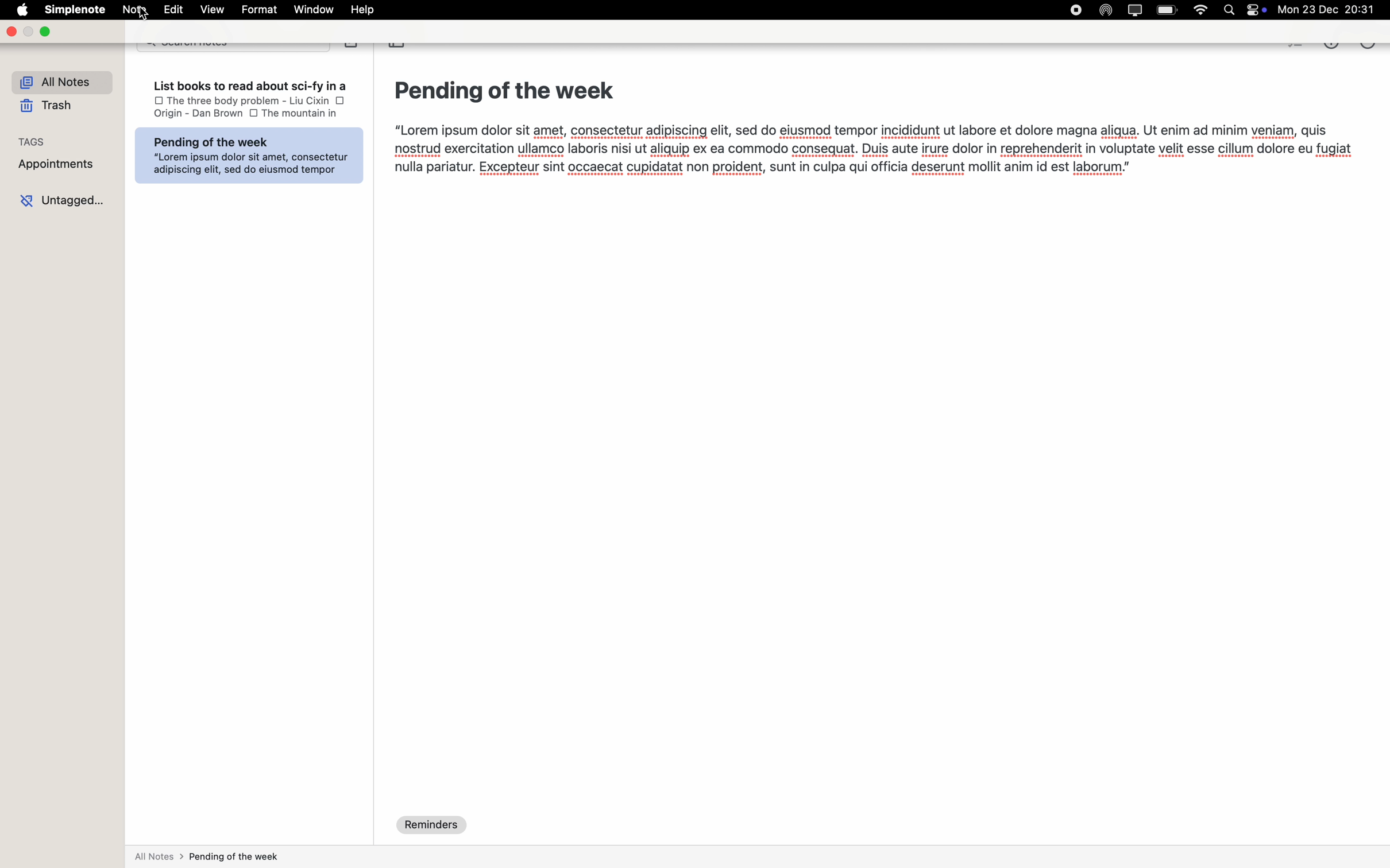  I want to click on wifi, so click(1200, 11).